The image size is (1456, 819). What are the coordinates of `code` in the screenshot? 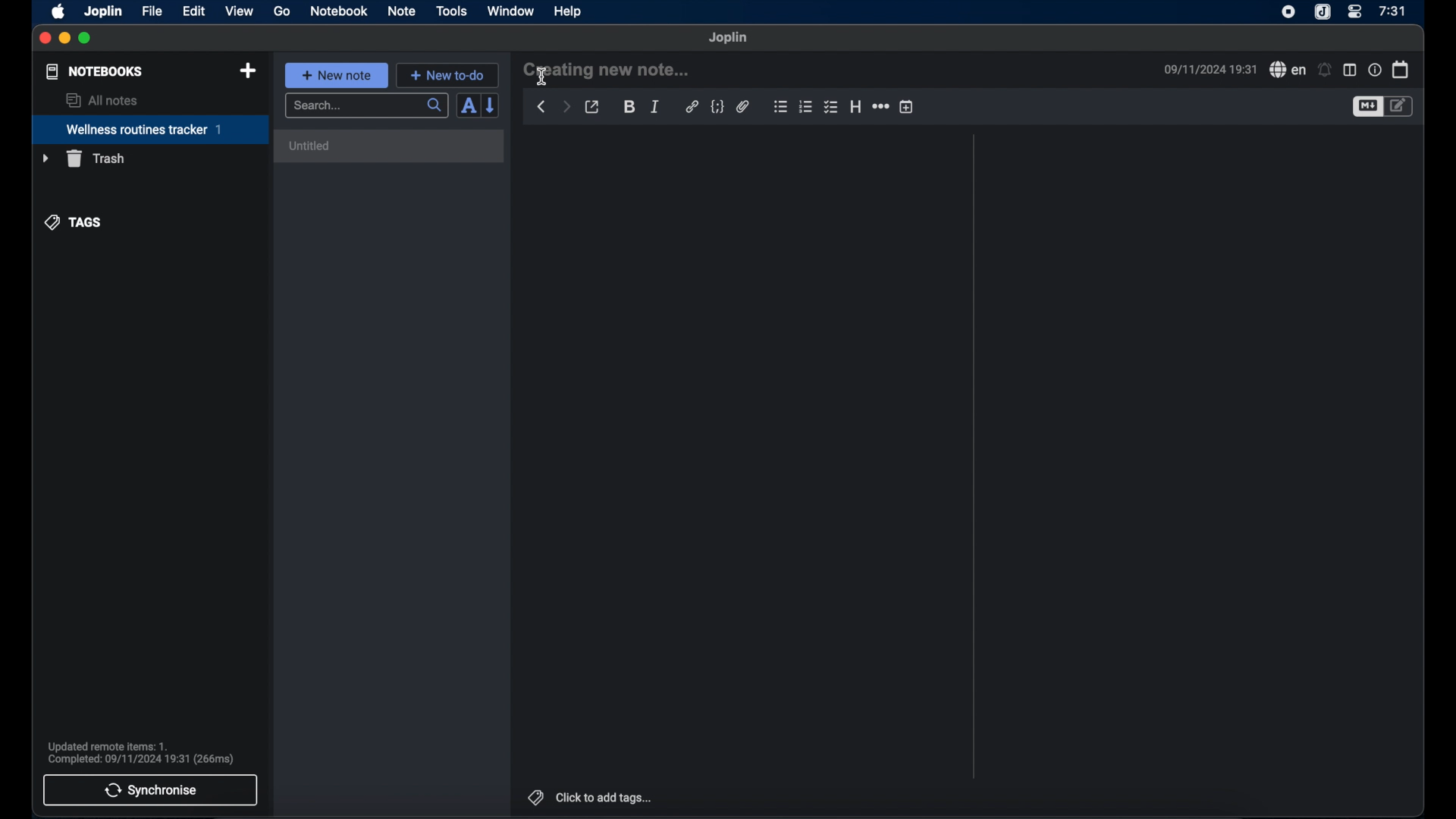 It's located at (717, 107).